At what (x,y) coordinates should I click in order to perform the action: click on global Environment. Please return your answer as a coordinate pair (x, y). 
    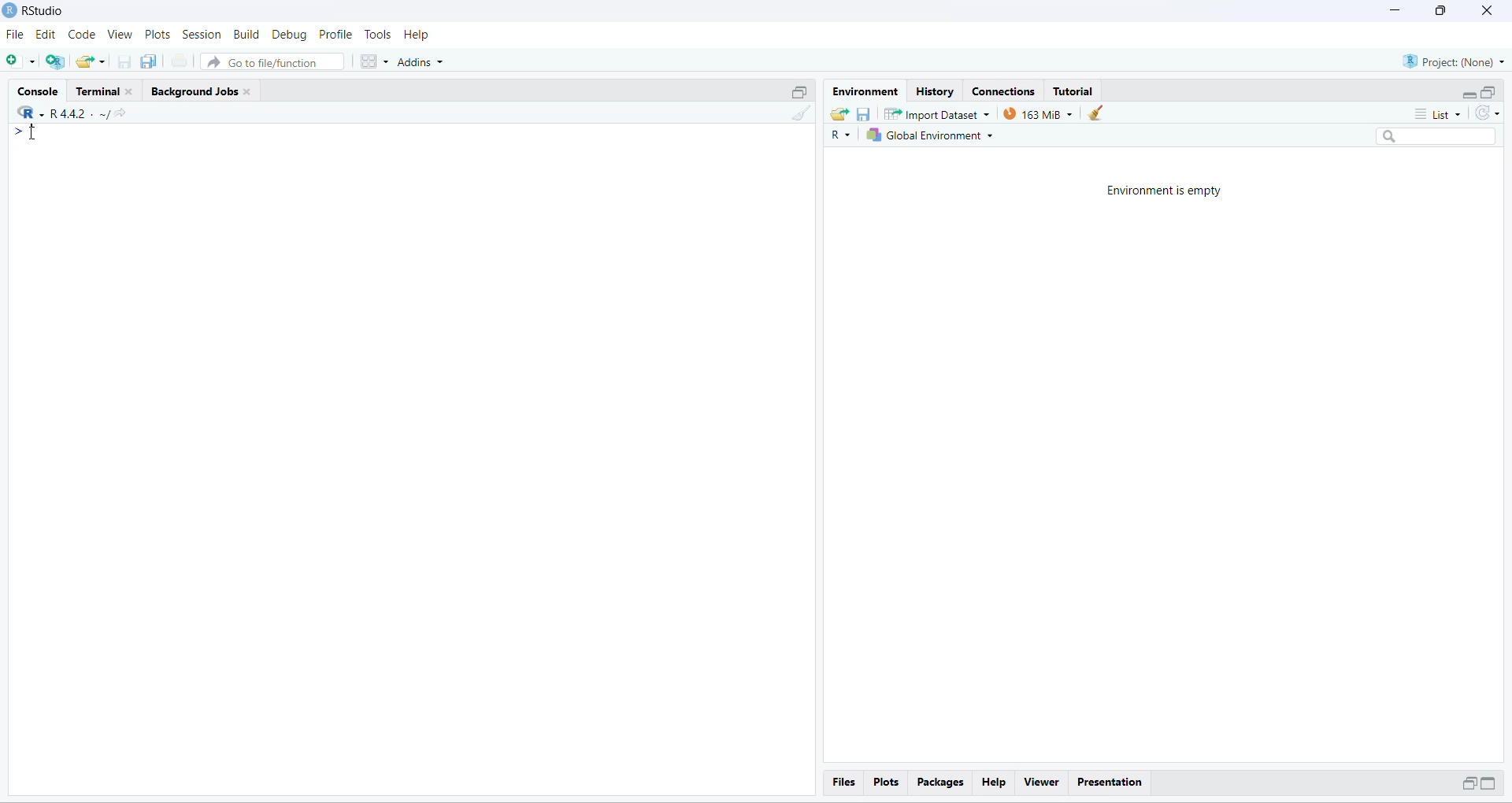
    Looking at the image, I should click on (925, 135).